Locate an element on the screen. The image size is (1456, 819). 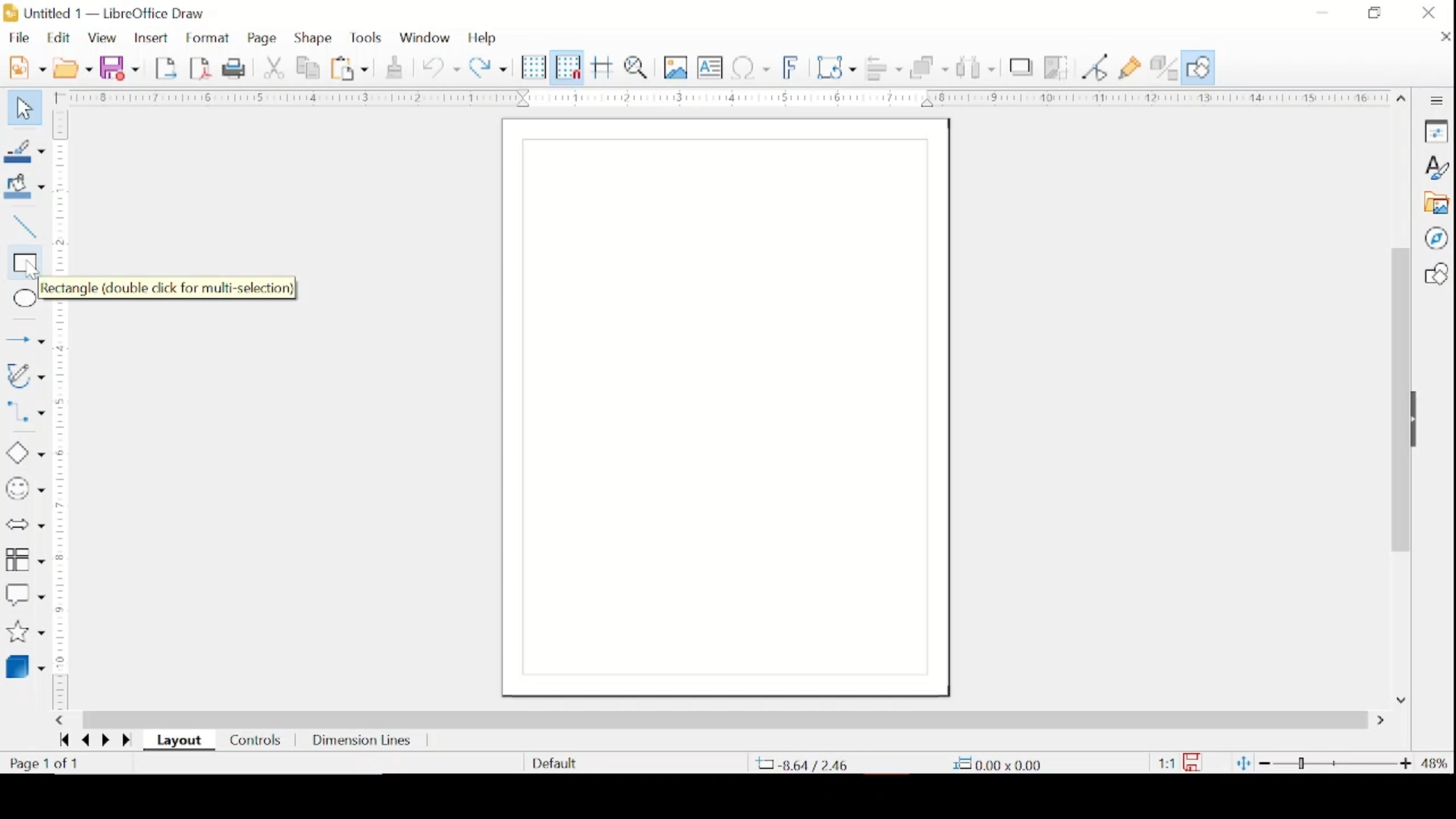
export directly as pdf is located at coordinates (201, 67).